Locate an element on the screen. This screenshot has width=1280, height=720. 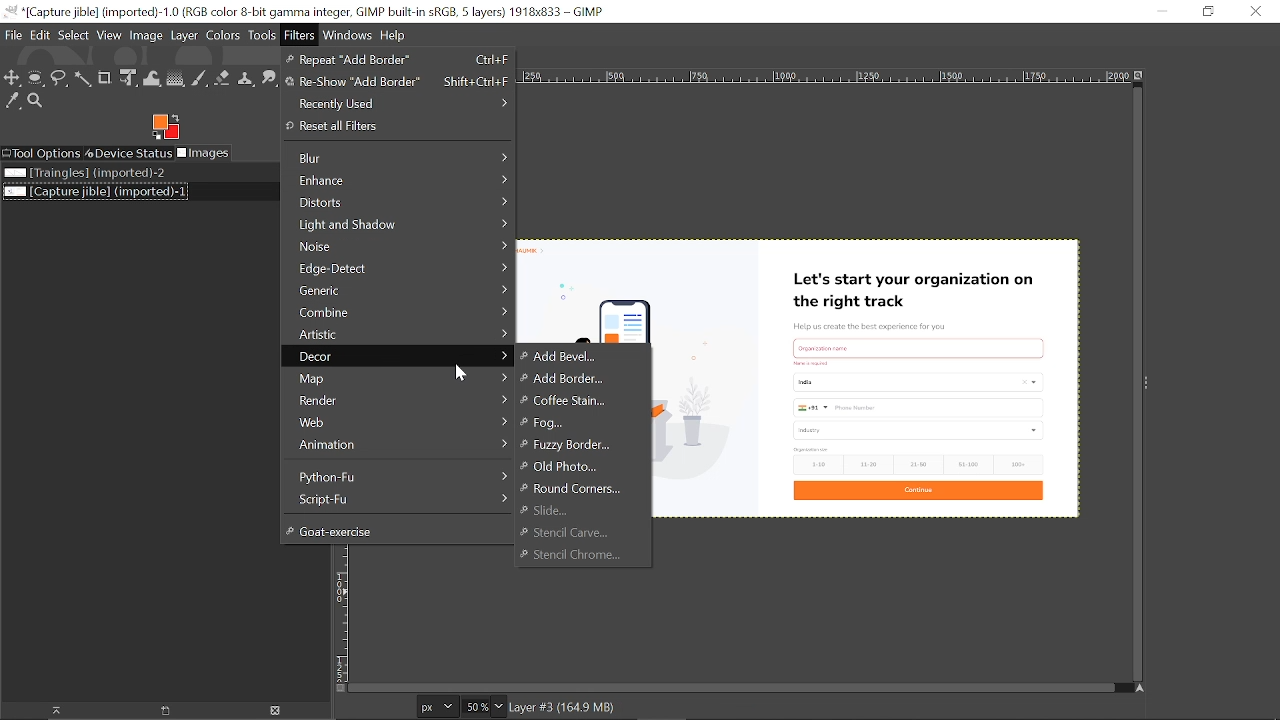
Zoom image when window size changes is located at coordinates (1141, 79).